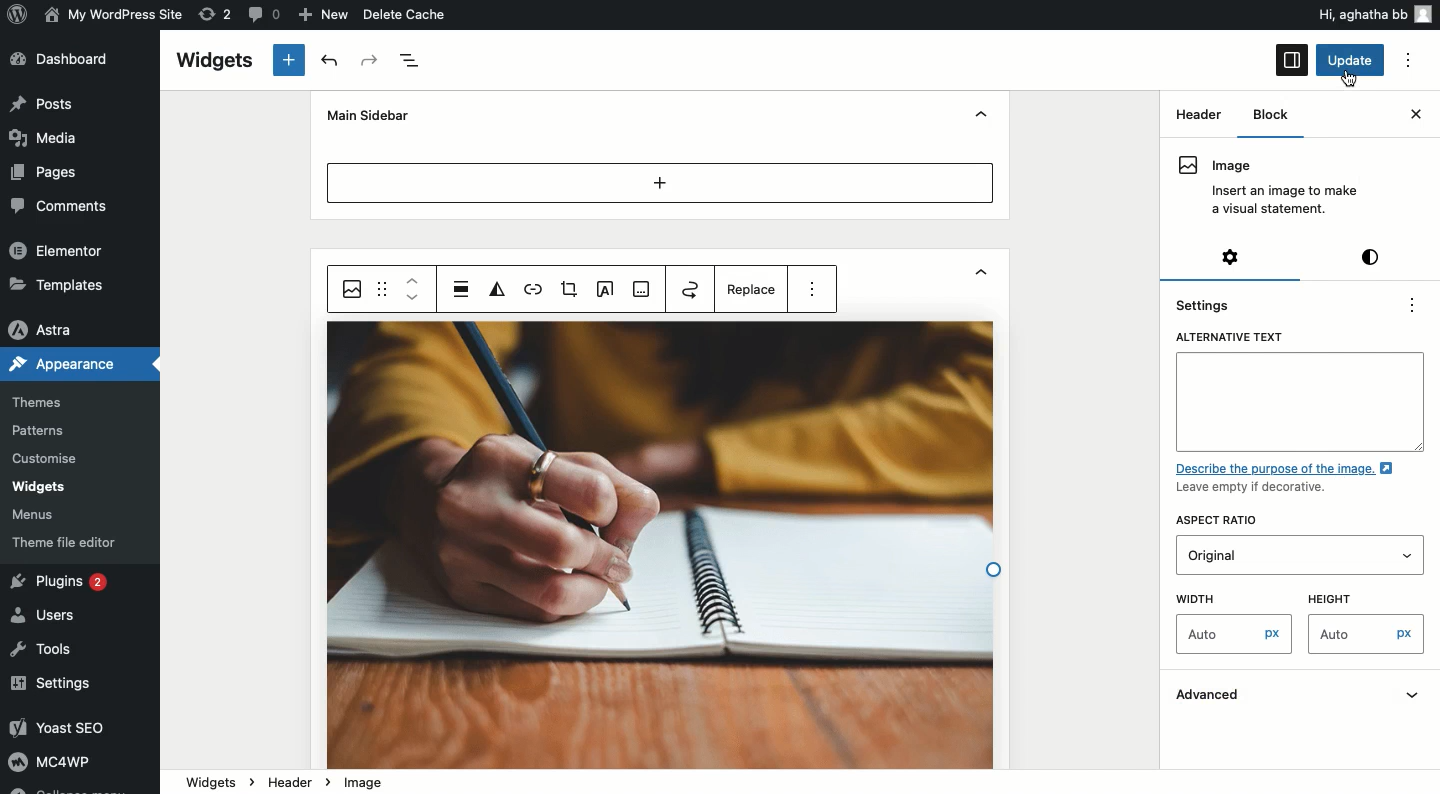 The height and width of the screenshot is (794, 1440). I want to click on Delete cache, so click(406, 14).